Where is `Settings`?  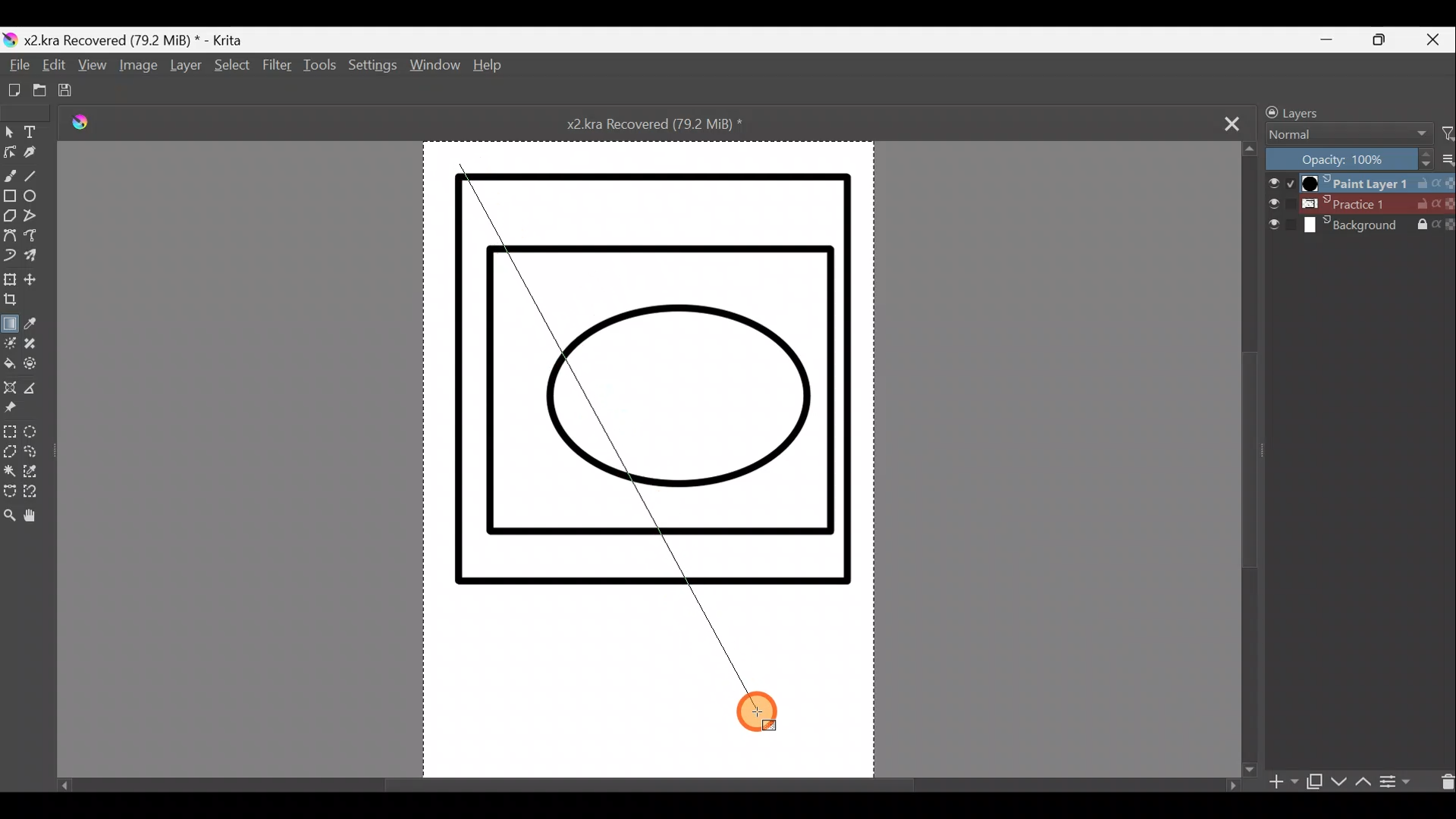
Settings is located at coordinates (374, 70).